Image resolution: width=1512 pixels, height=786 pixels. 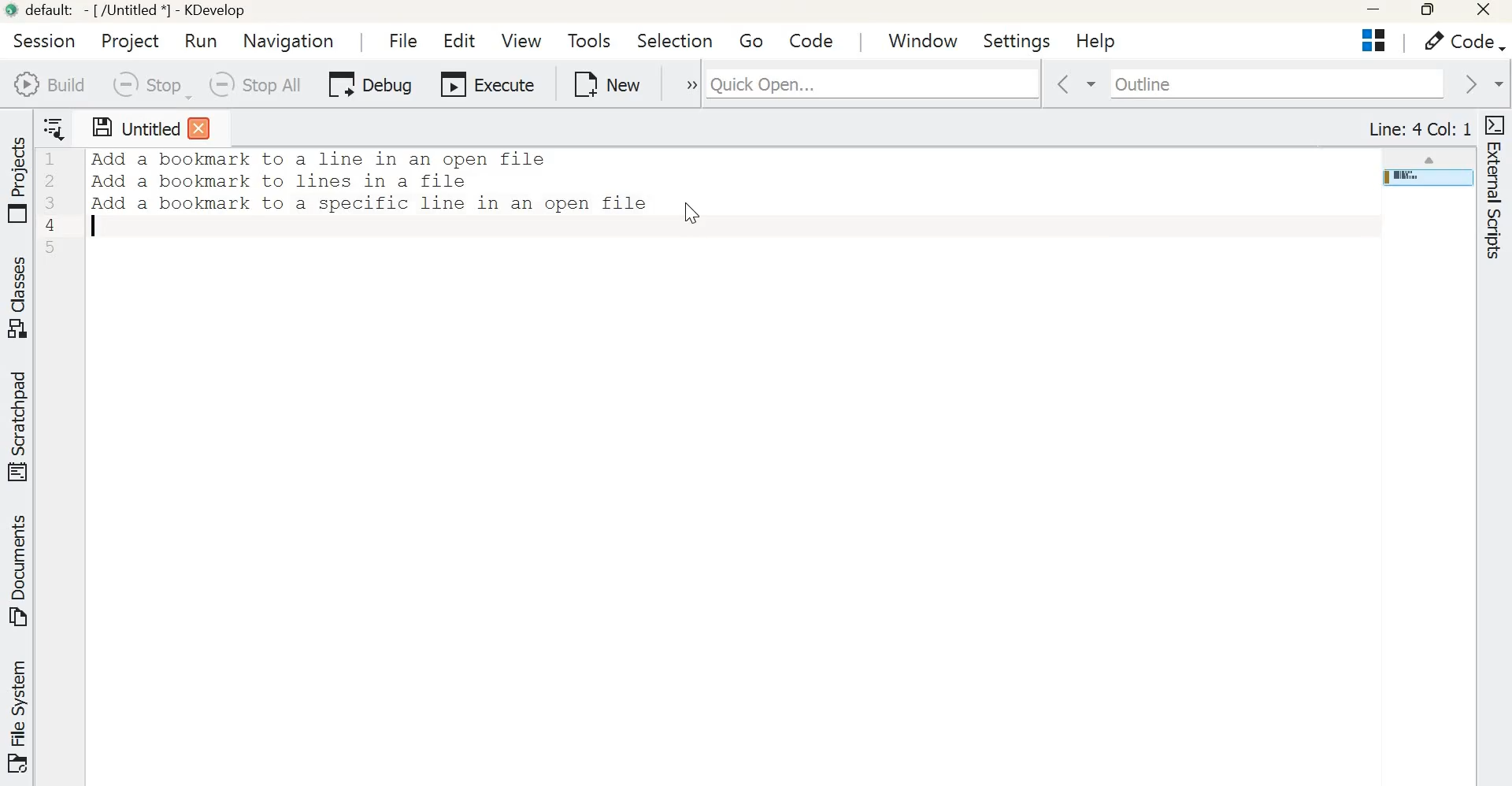 What do you see at coordinates (1274, 83) in the screenshot?
I see `Outline` at bounding box center [1274, 83].